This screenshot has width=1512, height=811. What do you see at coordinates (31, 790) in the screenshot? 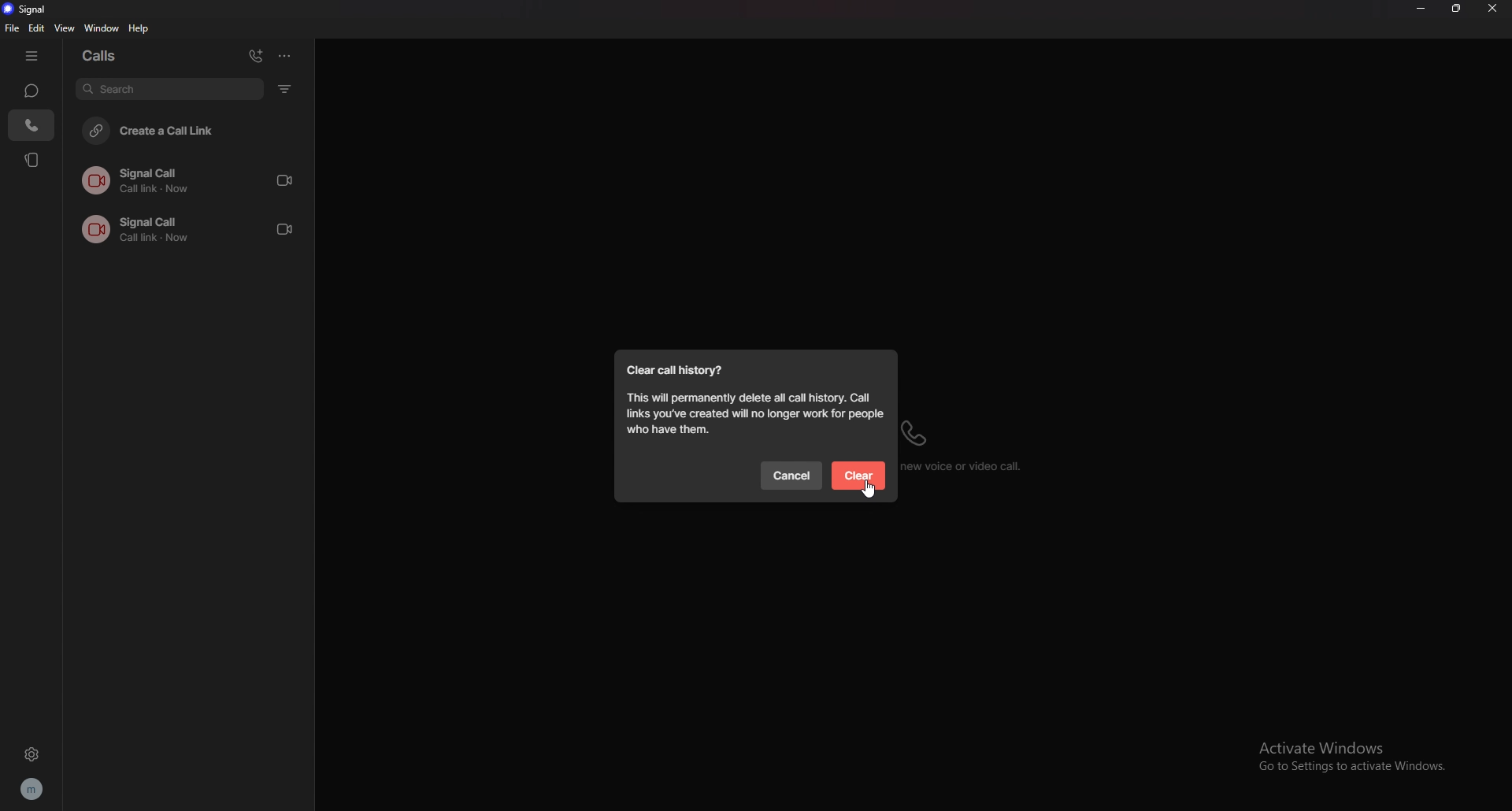
I see `profile` at bounding box center [31, 790].